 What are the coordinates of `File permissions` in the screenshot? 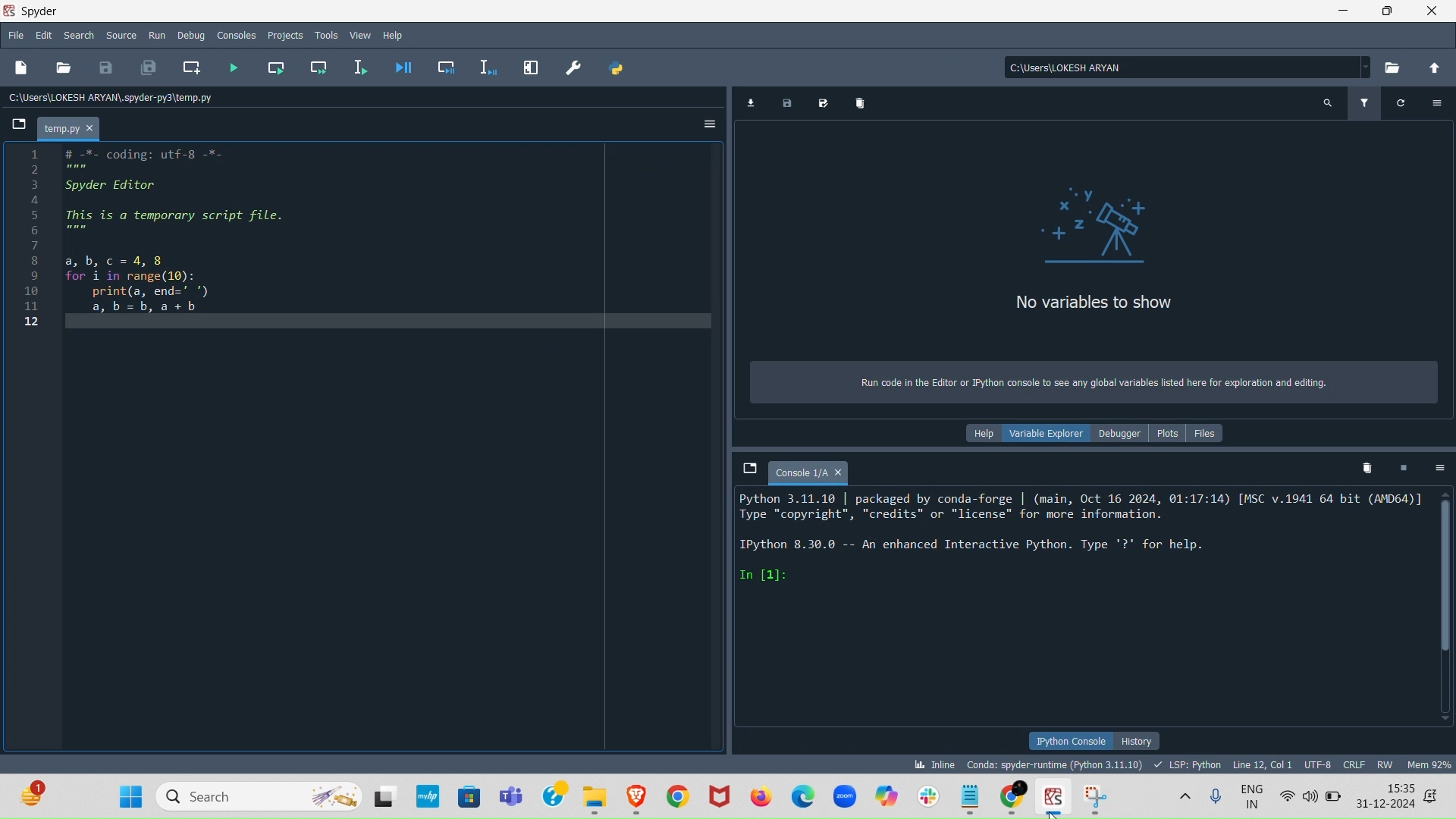 It's located at (1387, 761).